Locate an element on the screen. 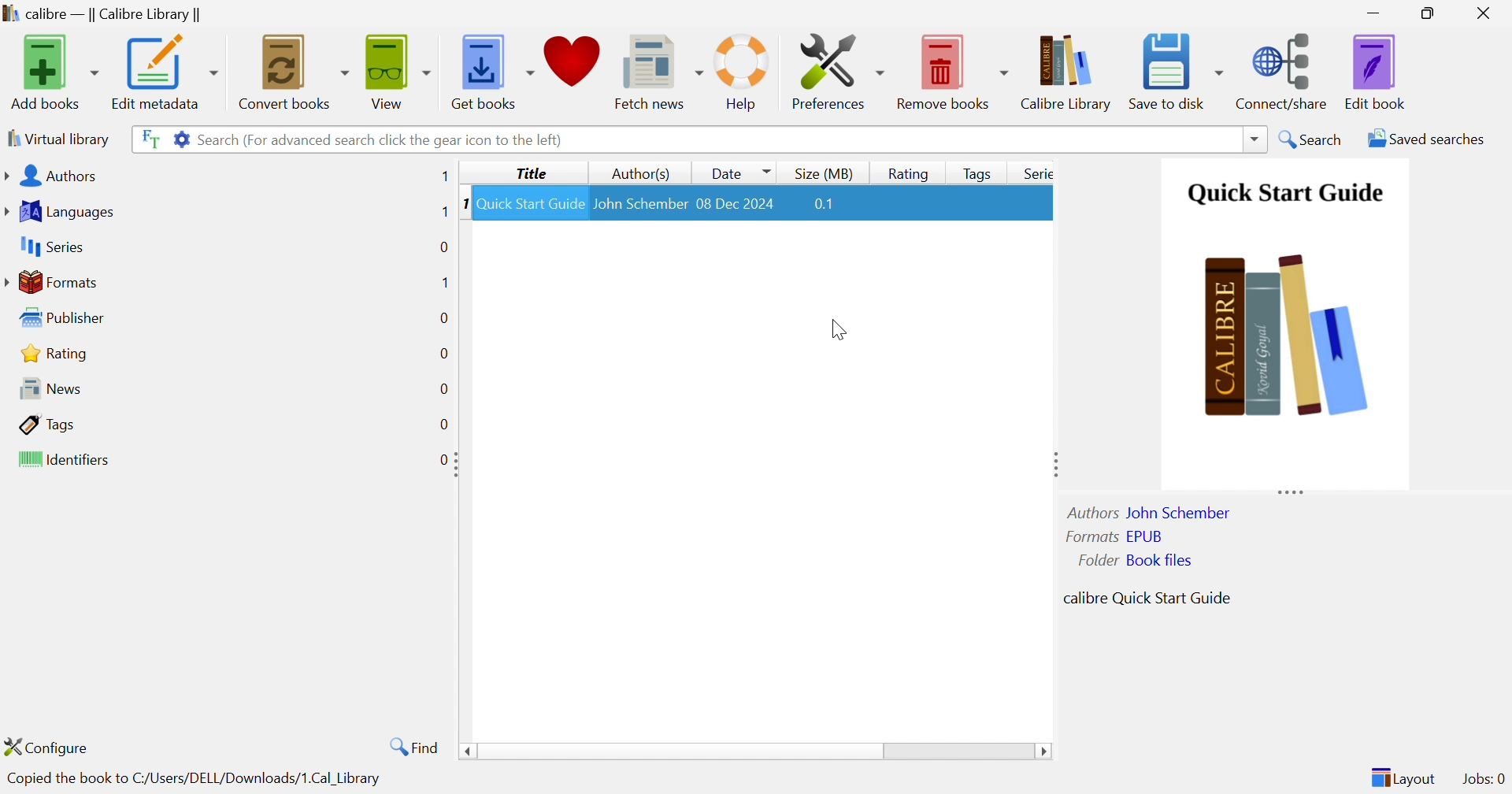 This screenshot has height=794, width=1512. Title is located at coordinates (529, 174).